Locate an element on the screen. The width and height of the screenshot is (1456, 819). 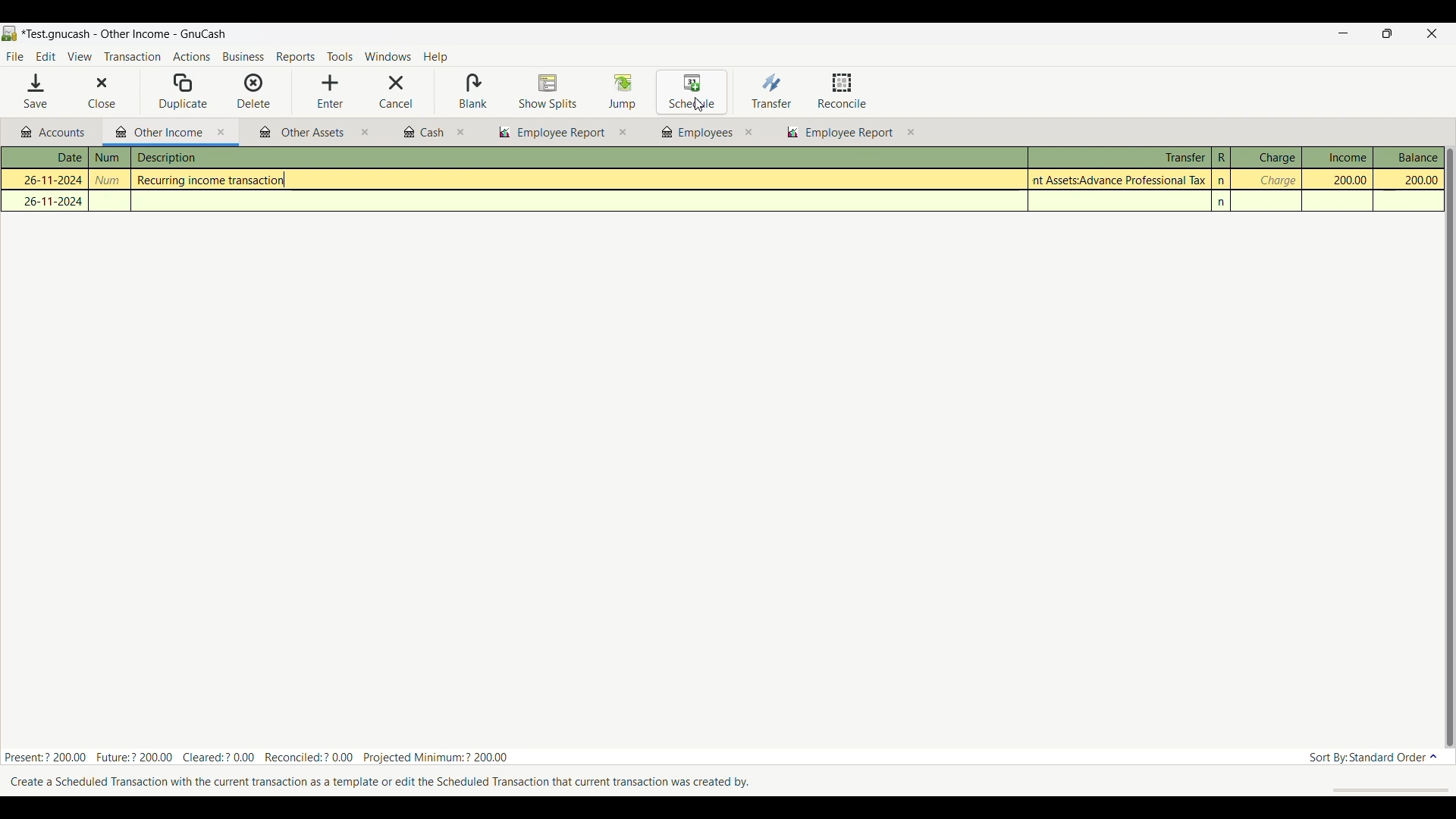
close is located at coordinates (748, 132).